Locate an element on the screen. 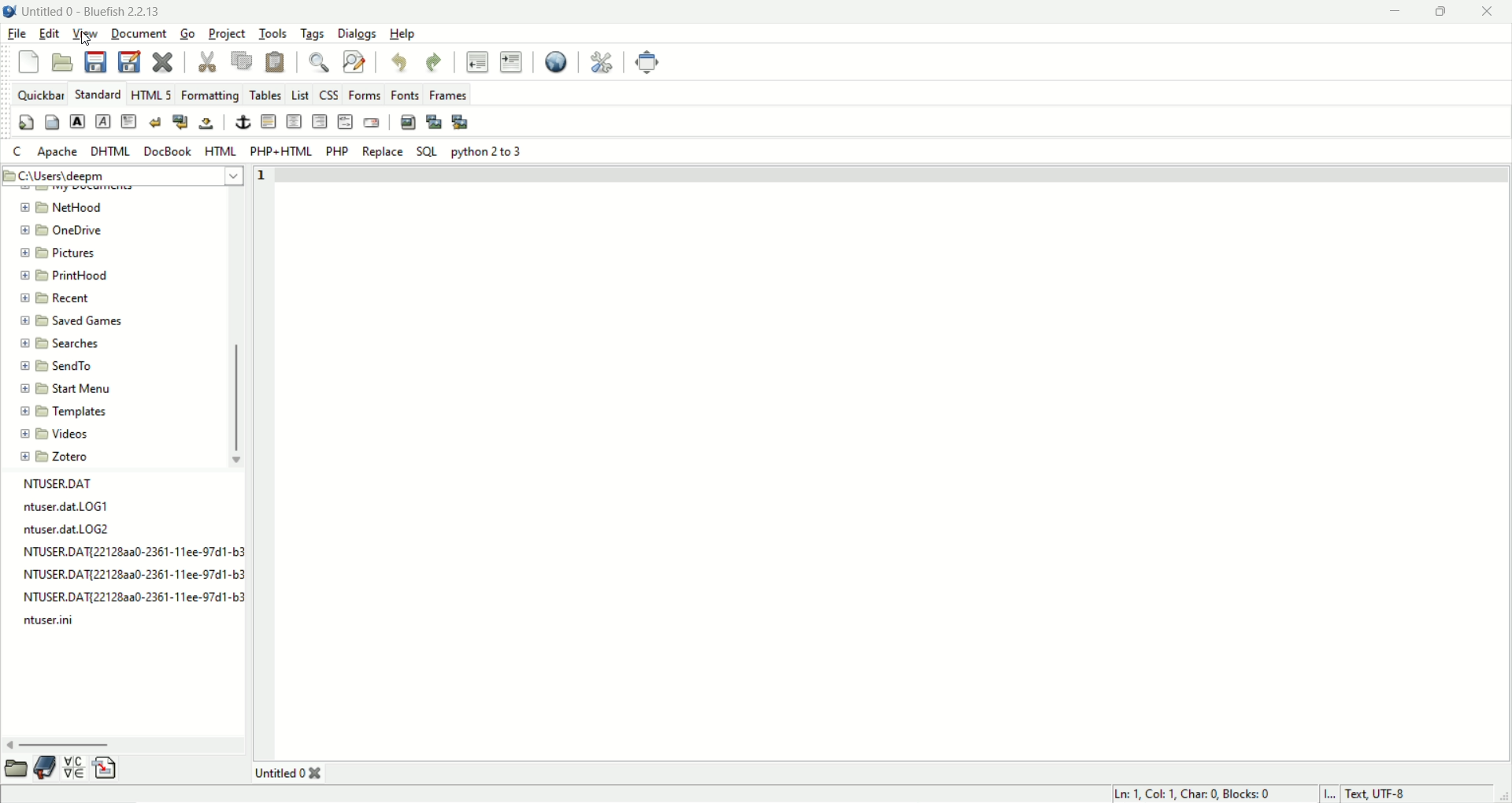 The width and height of the screenshot is (1512, 803). Cursor is located at coordinates (86, 39).